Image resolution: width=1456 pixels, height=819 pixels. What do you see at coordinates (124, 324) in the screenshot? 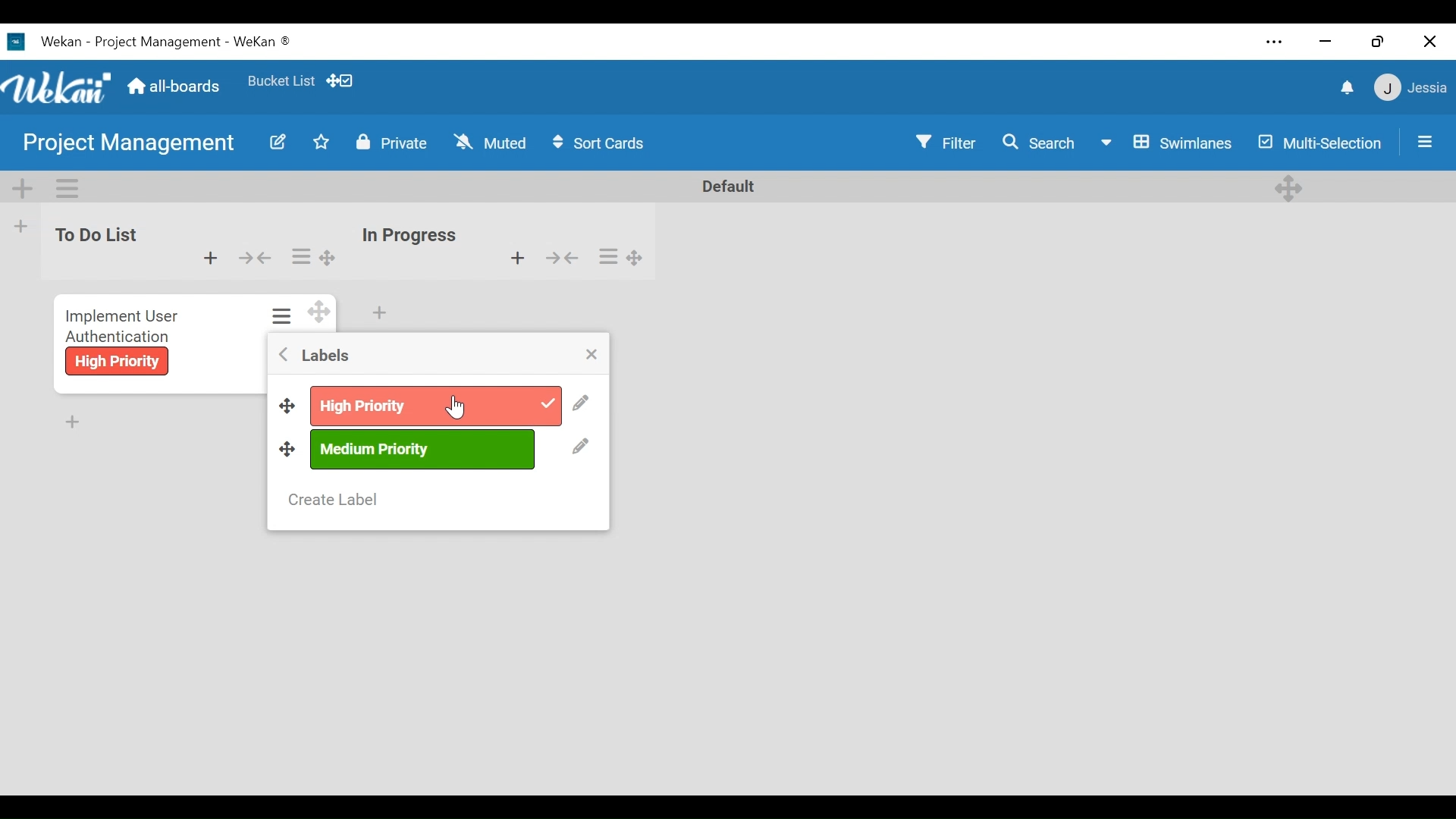
I see `Implement User Authentication` at bounding box center [124, 324].